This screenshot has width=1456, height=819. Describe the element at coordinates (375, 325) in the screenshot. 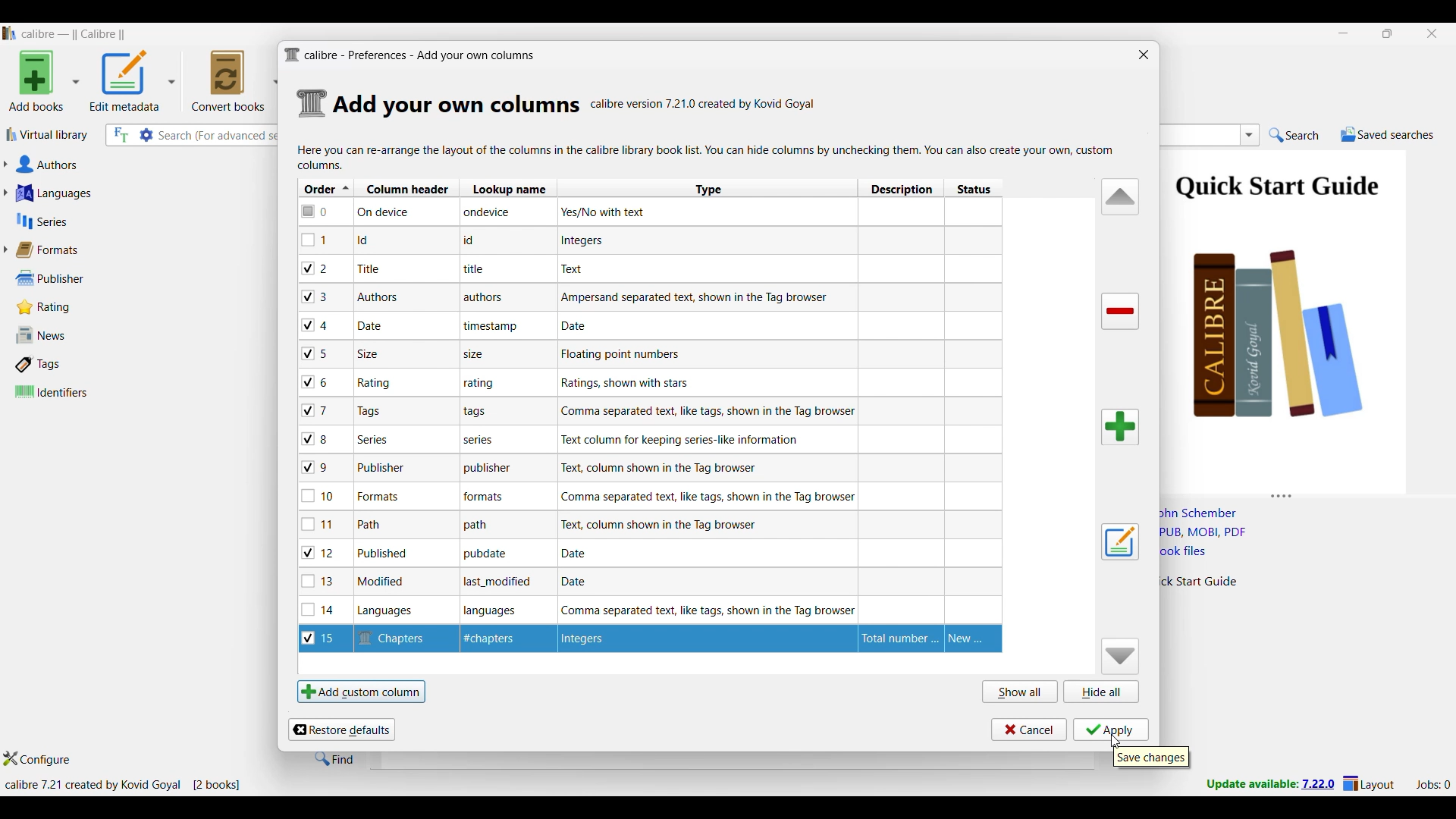

I see `Note` at that location.